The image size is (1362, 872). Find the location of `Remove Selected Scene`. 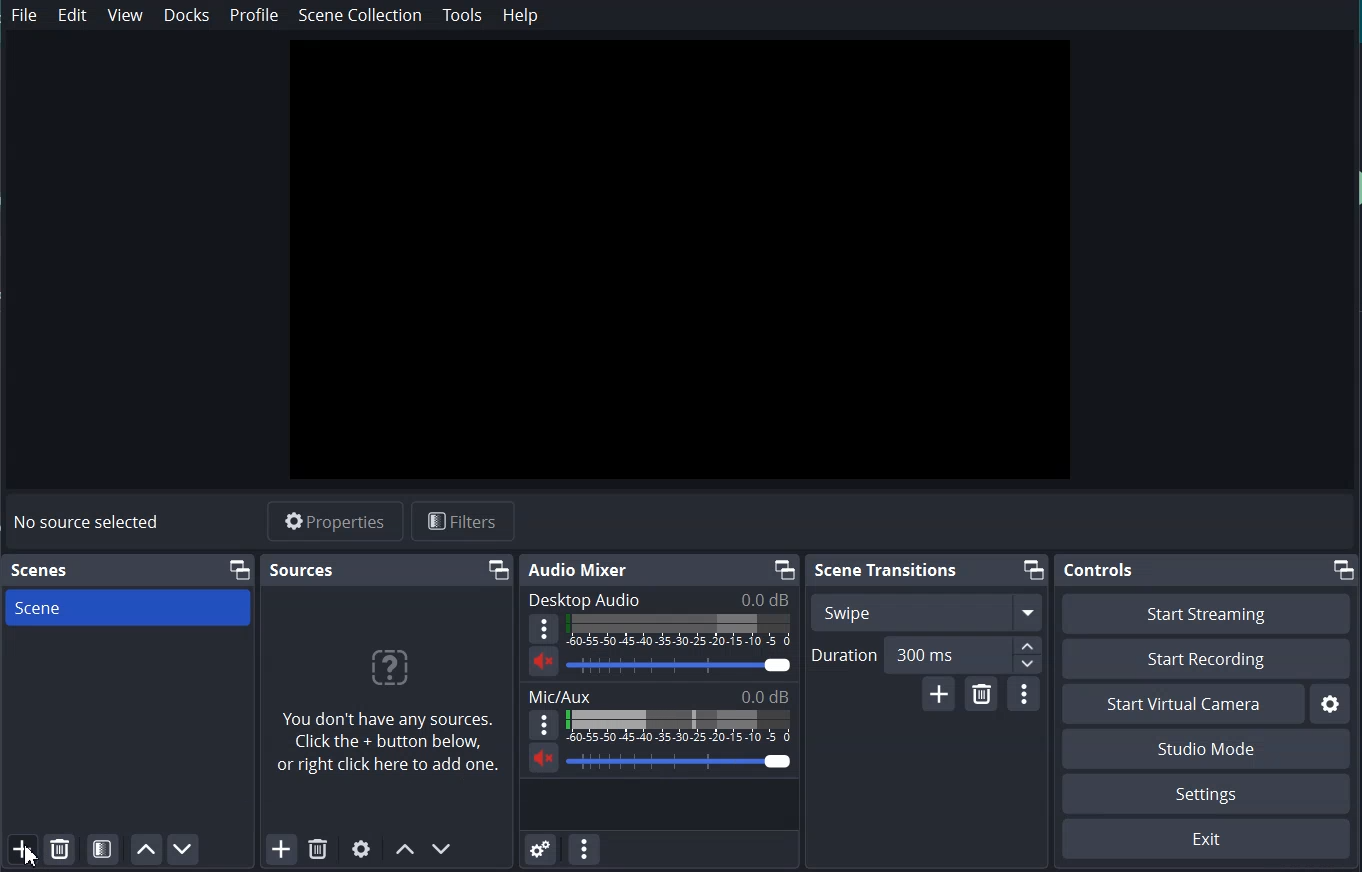

Remove Selected Scene is located at coordinates (60, 848).